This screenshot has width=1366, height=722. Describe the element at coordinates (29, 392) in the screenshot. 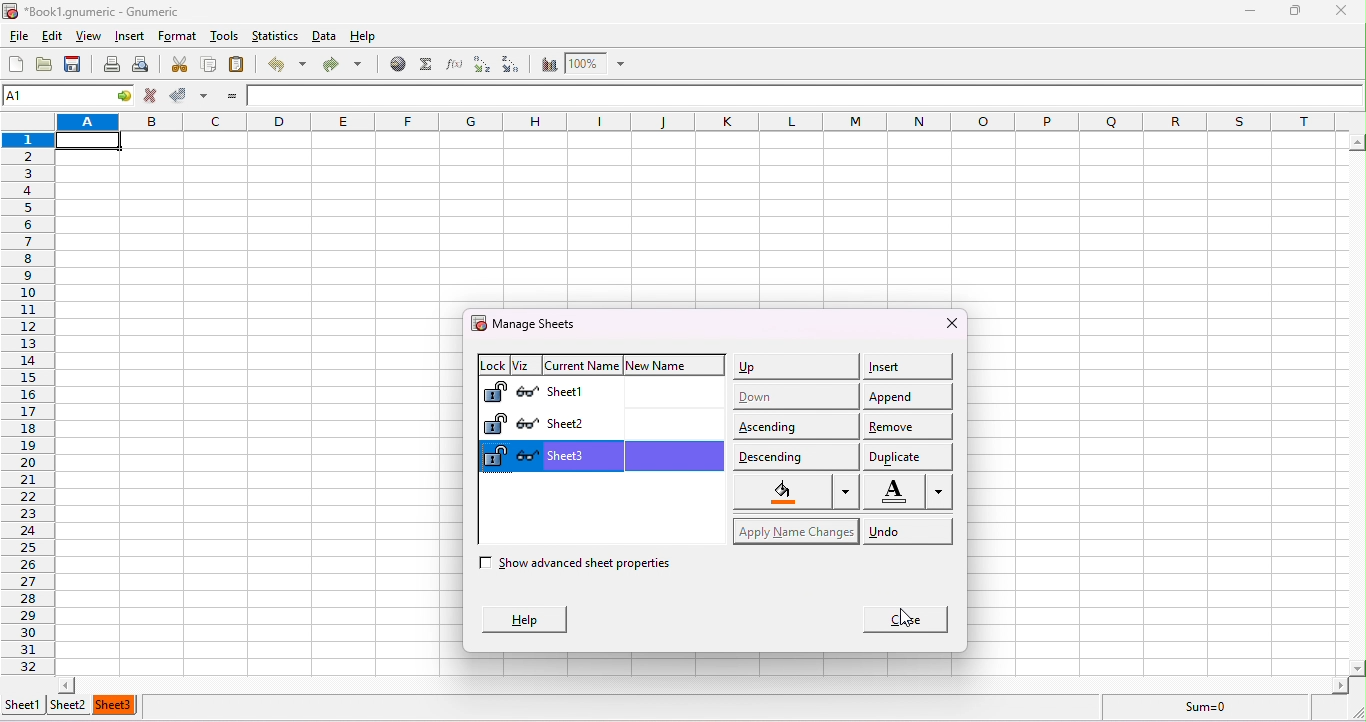

I see `rows` at that location.